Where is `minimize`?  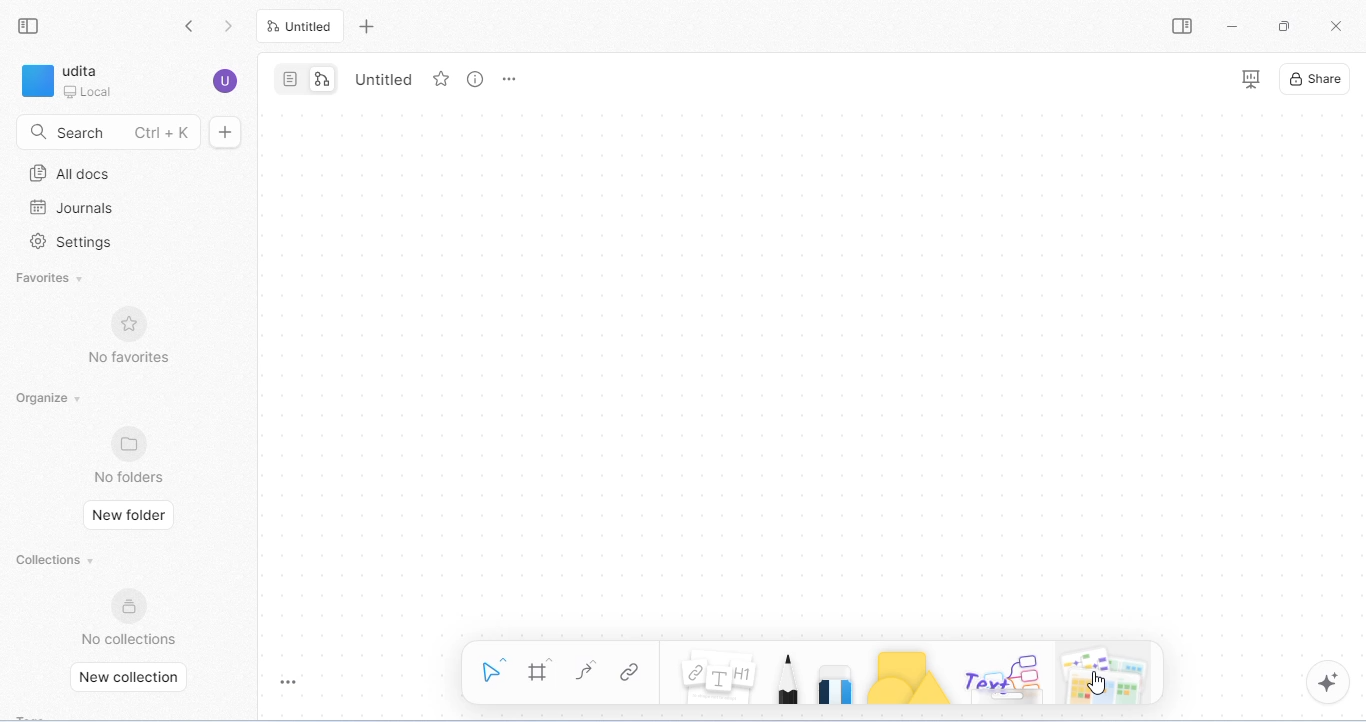
minimize is located at coordinates (1229, 24).